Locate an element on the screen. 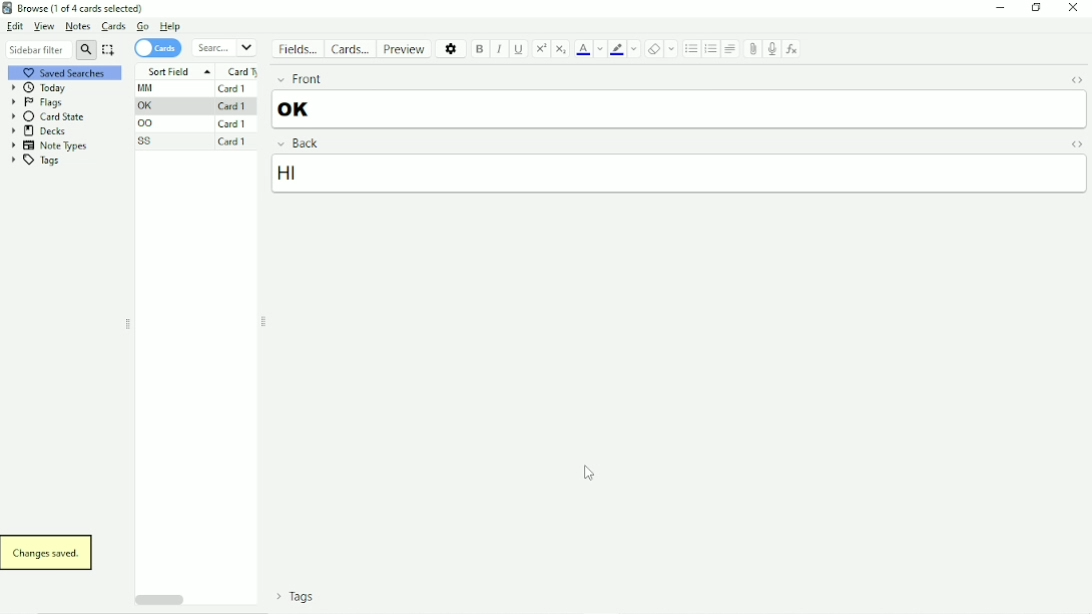 Image resolution: width=1092 pixels, height=614 pixels. Close is located at coordinates (1074, 8).